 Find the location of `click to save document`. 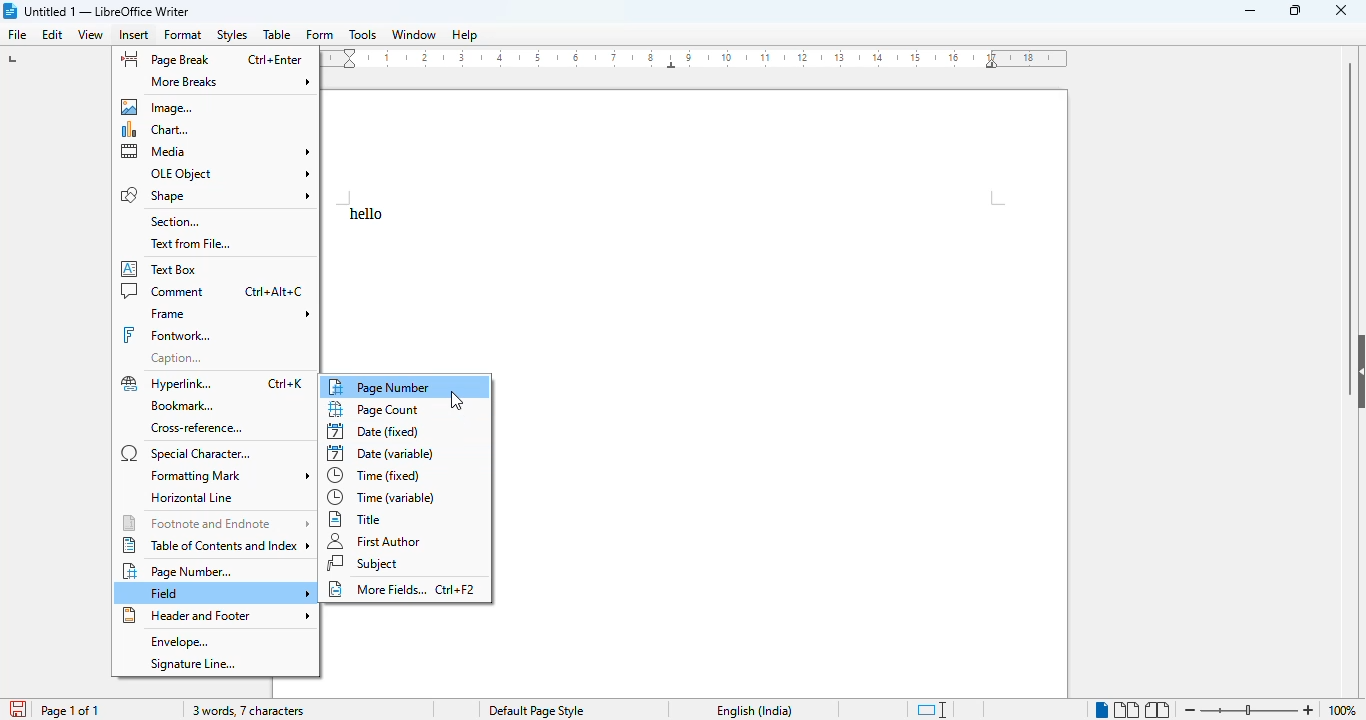

click to save document is located at coordinates (18, 709).